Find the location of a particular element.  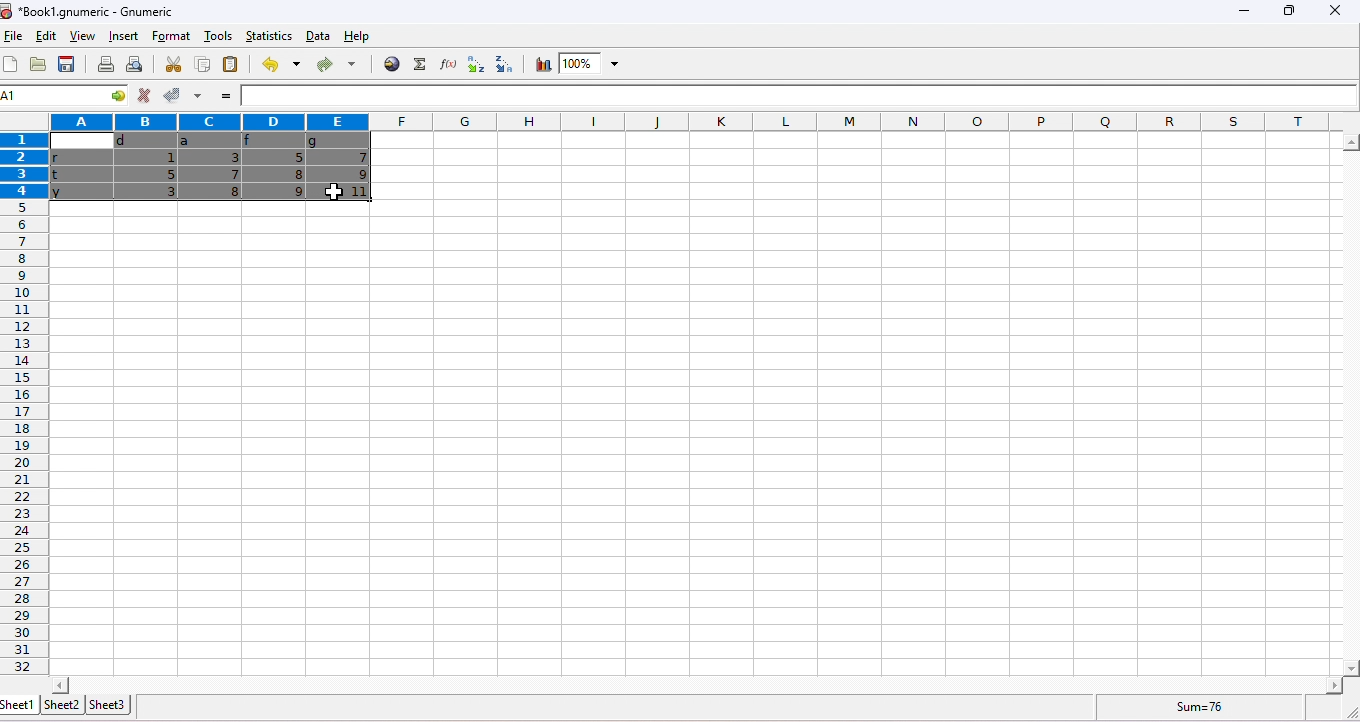

function is located at coordinates (417, 64).